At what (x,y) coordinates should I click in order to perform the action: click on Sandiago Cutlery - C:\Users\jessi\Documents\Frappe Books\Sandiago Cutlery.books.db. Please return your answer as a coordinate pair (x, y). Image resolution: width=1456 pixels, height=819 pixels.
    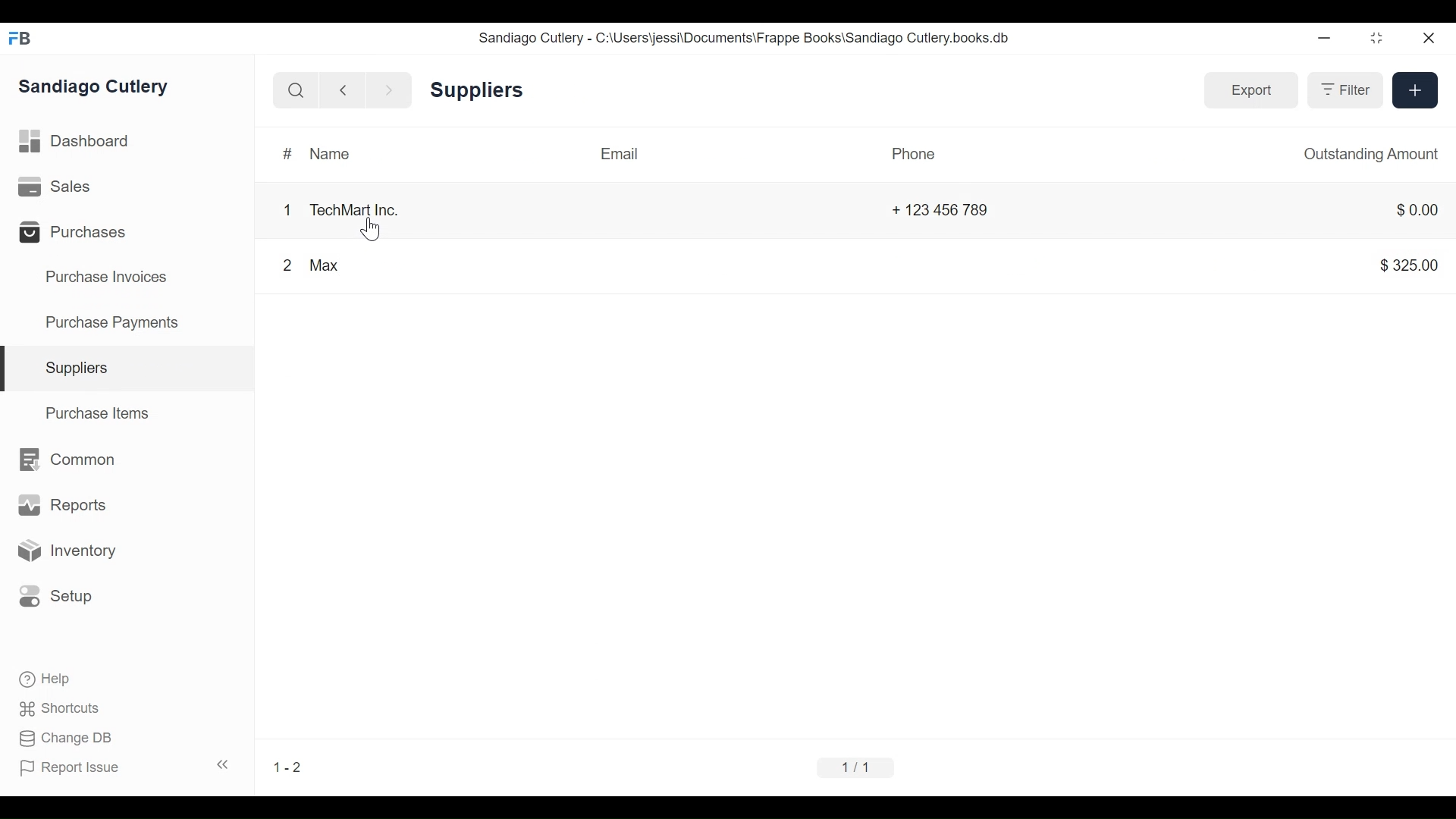
    Looking at the image, I should click on (758, 39).